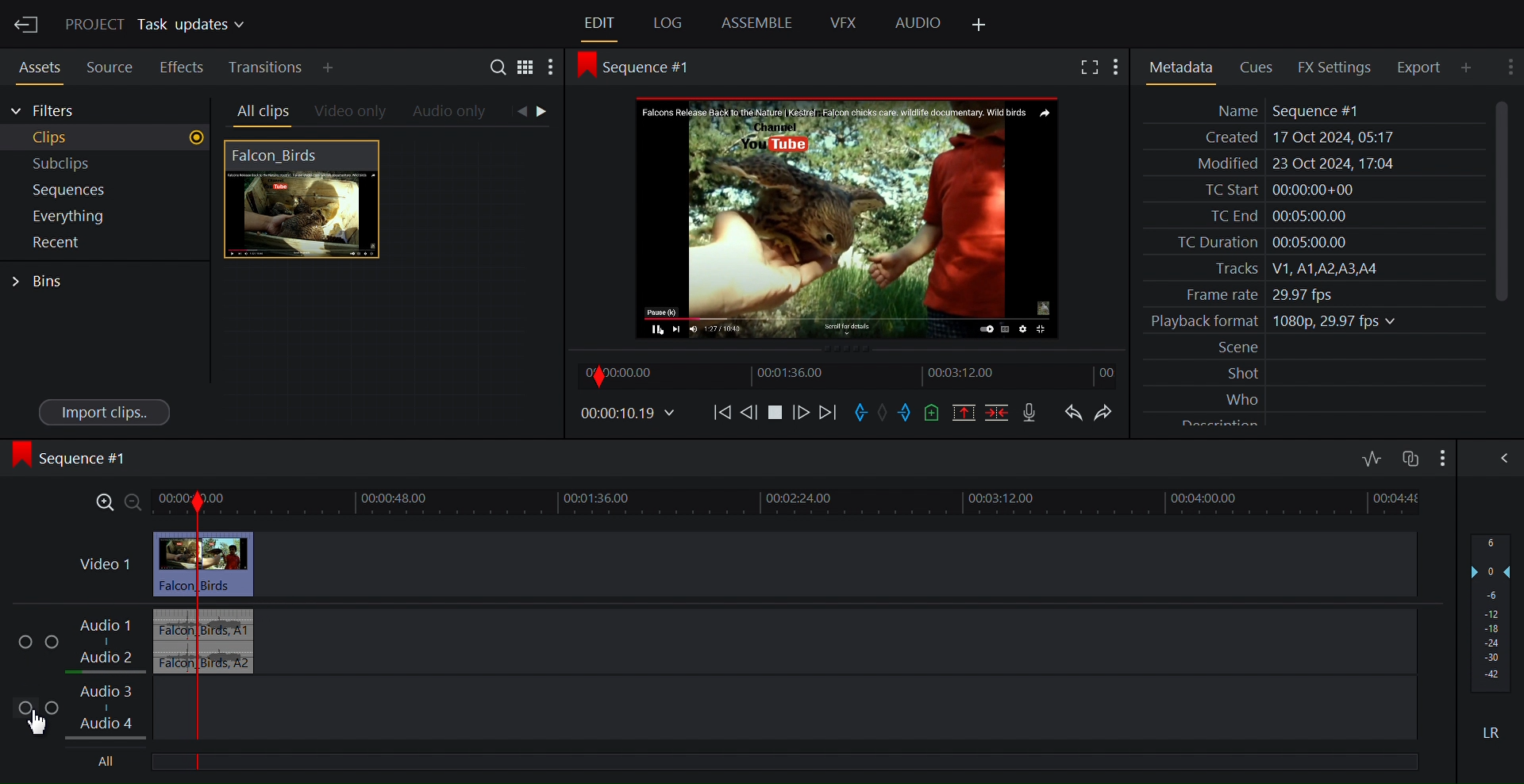 This screenshot has width=1524, height=784. Describe the element at coordinates (267, 67) in the screenshot. I see `Transitition` at that location.